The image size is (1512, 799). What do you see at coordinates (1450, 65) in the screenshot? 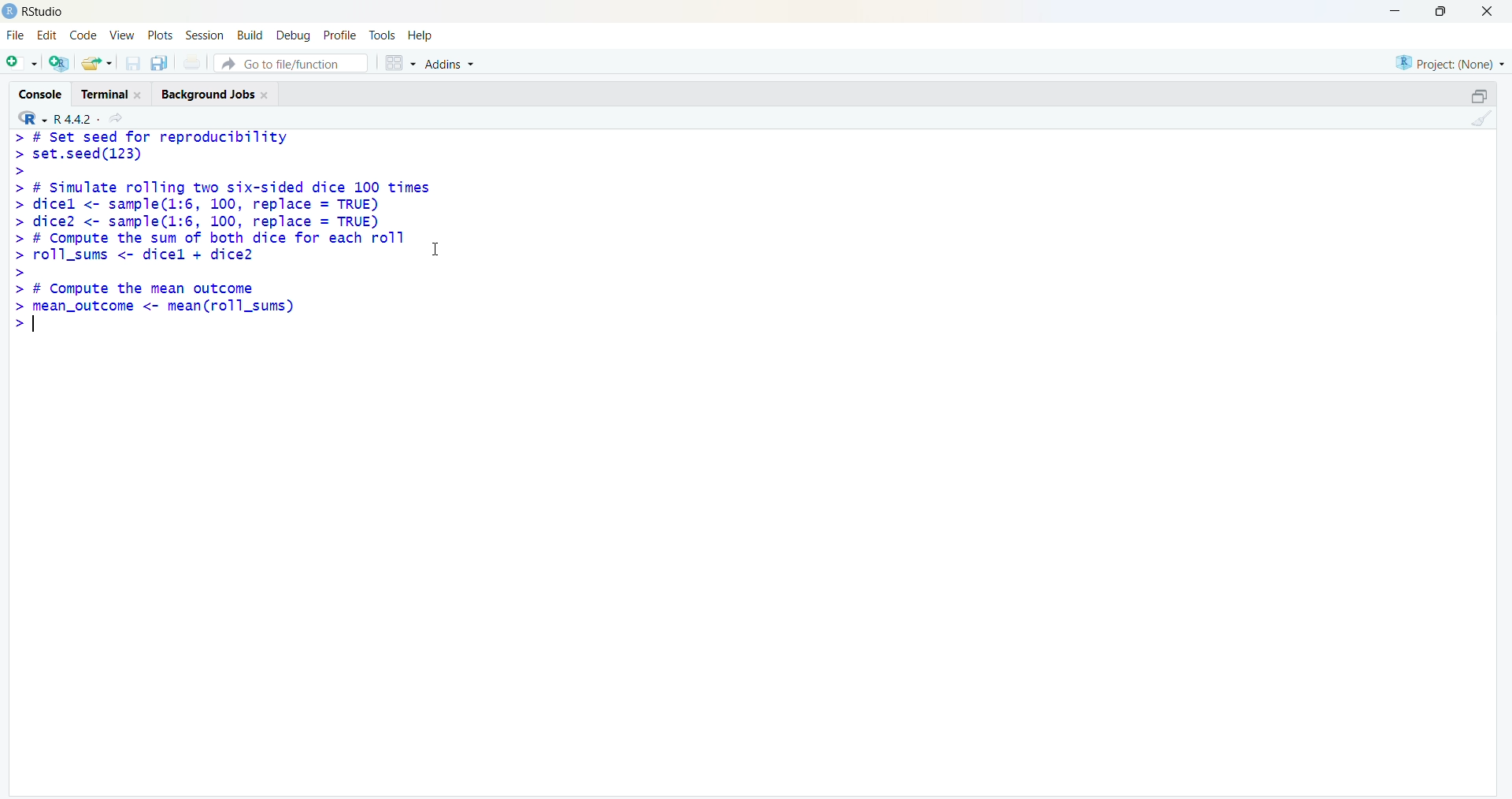
I see `project (none)` at bounding box center [1450, 65].